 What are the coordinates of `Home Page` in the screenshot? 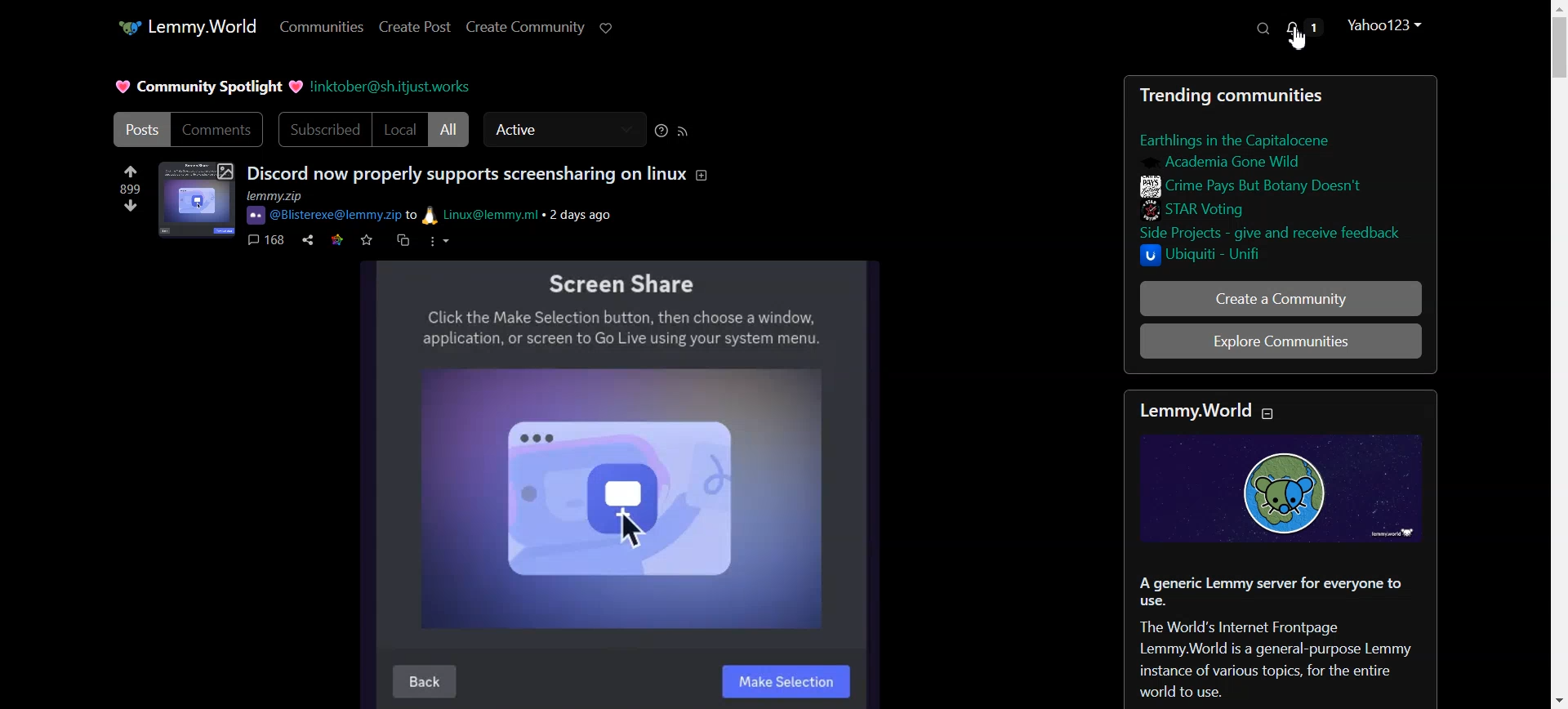 It's located at (184, 26).